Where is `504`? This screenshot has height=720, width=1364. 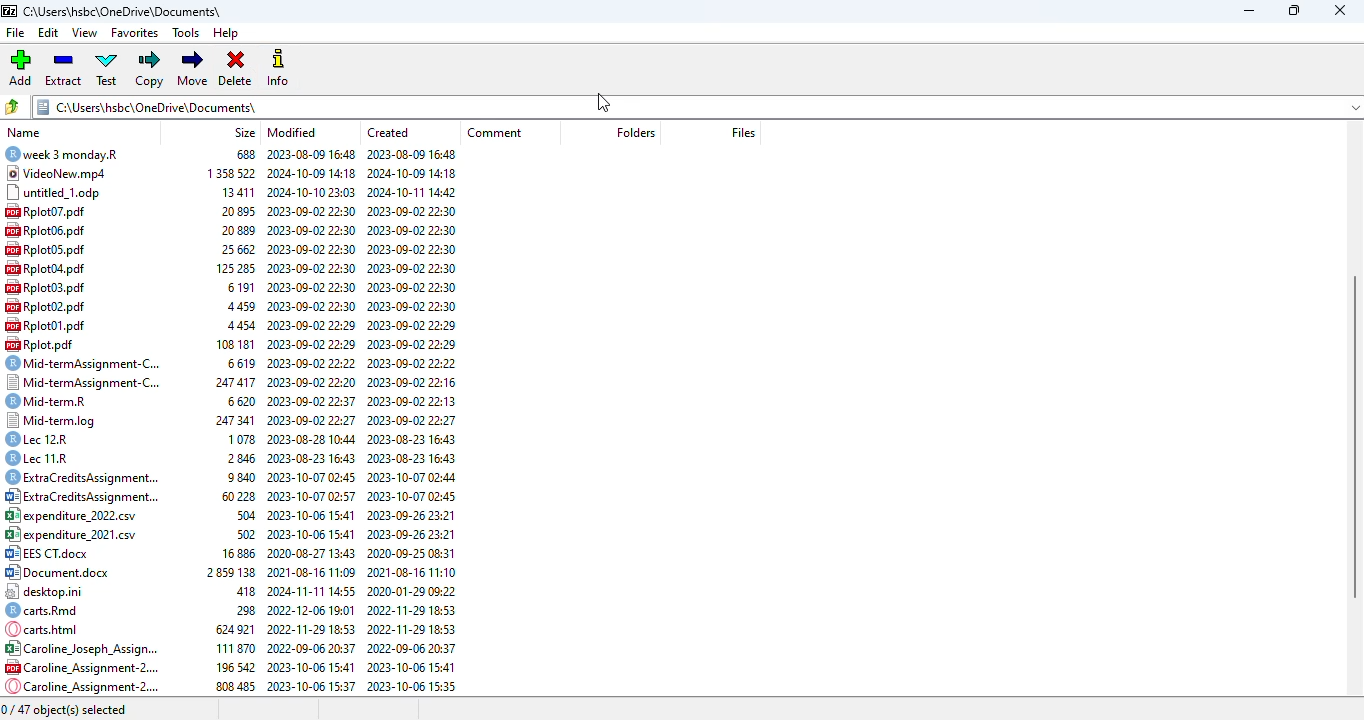 504 is located at coordinates (239, 515).